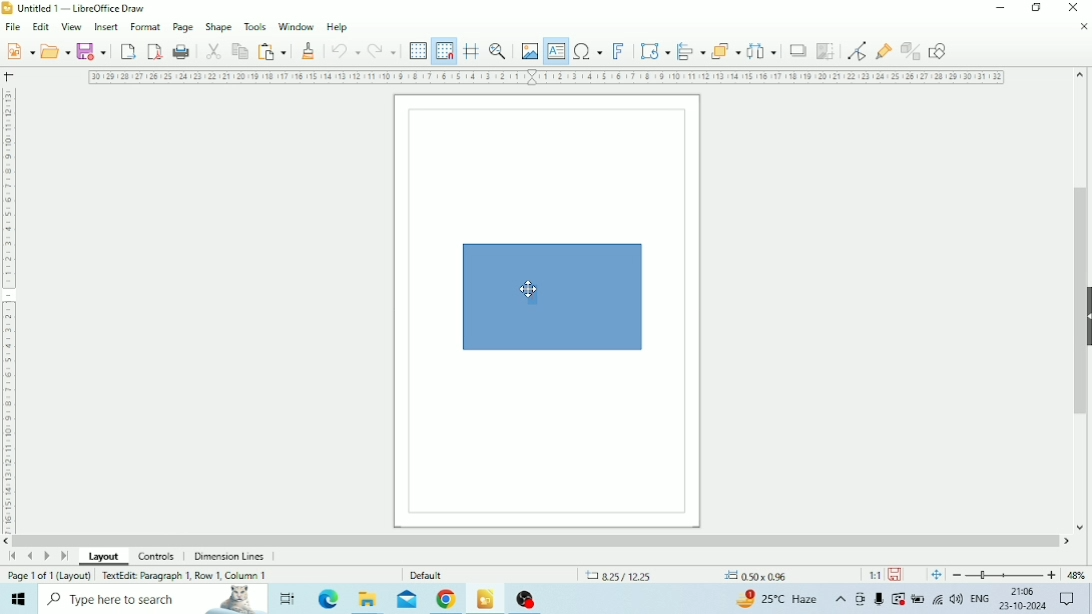  What do you see at coordinates (182, 52) in the screenshot?
I see `Print` at bounding box center [182, 52].